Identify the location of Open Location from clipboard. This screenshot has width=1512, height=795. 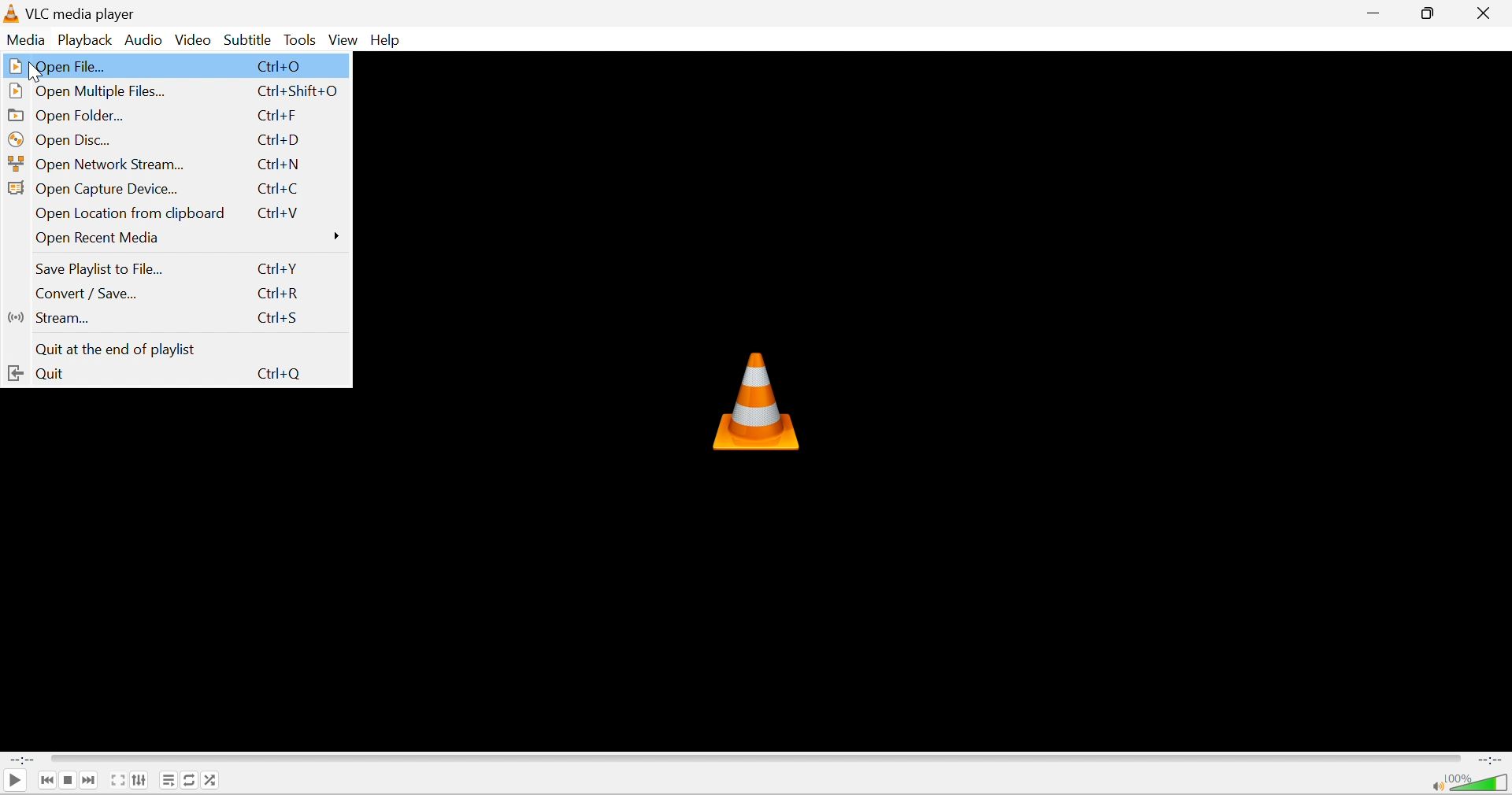
(132, 214).